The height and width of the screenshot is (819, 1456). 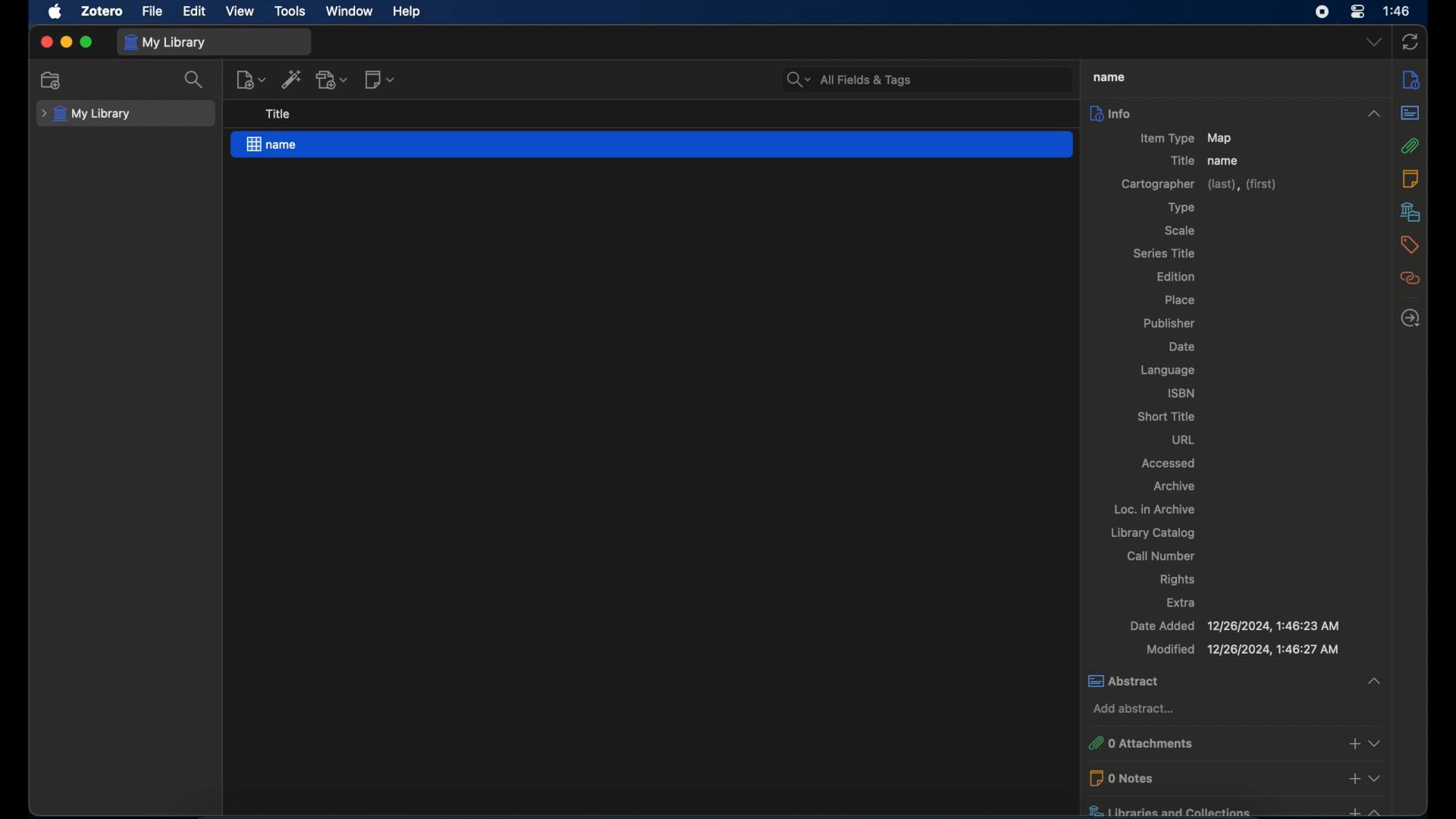 What do you see at coordinates (1411, 245) in the screenshot?
I see `tags` at bounding box center [1411, 245].